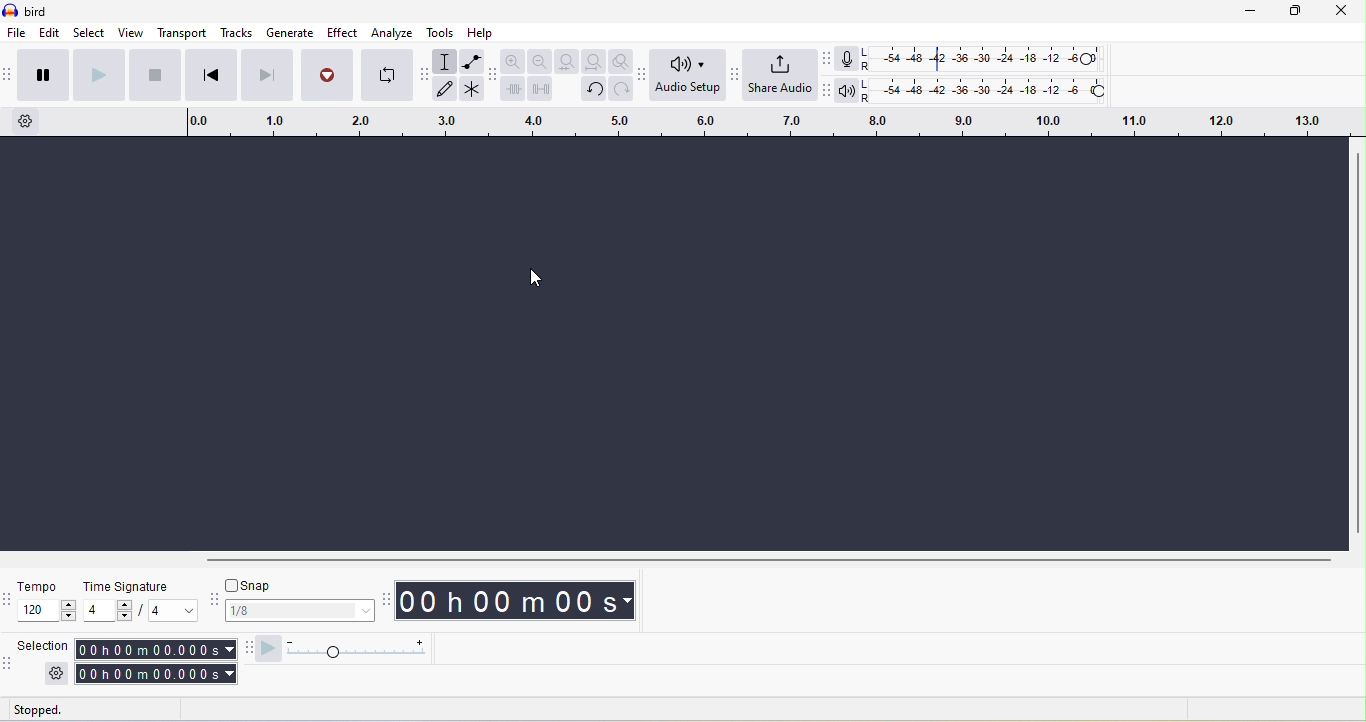  Describe the element at coordinates (208, 77) in the screenshot. I see `skip to start` at that location.